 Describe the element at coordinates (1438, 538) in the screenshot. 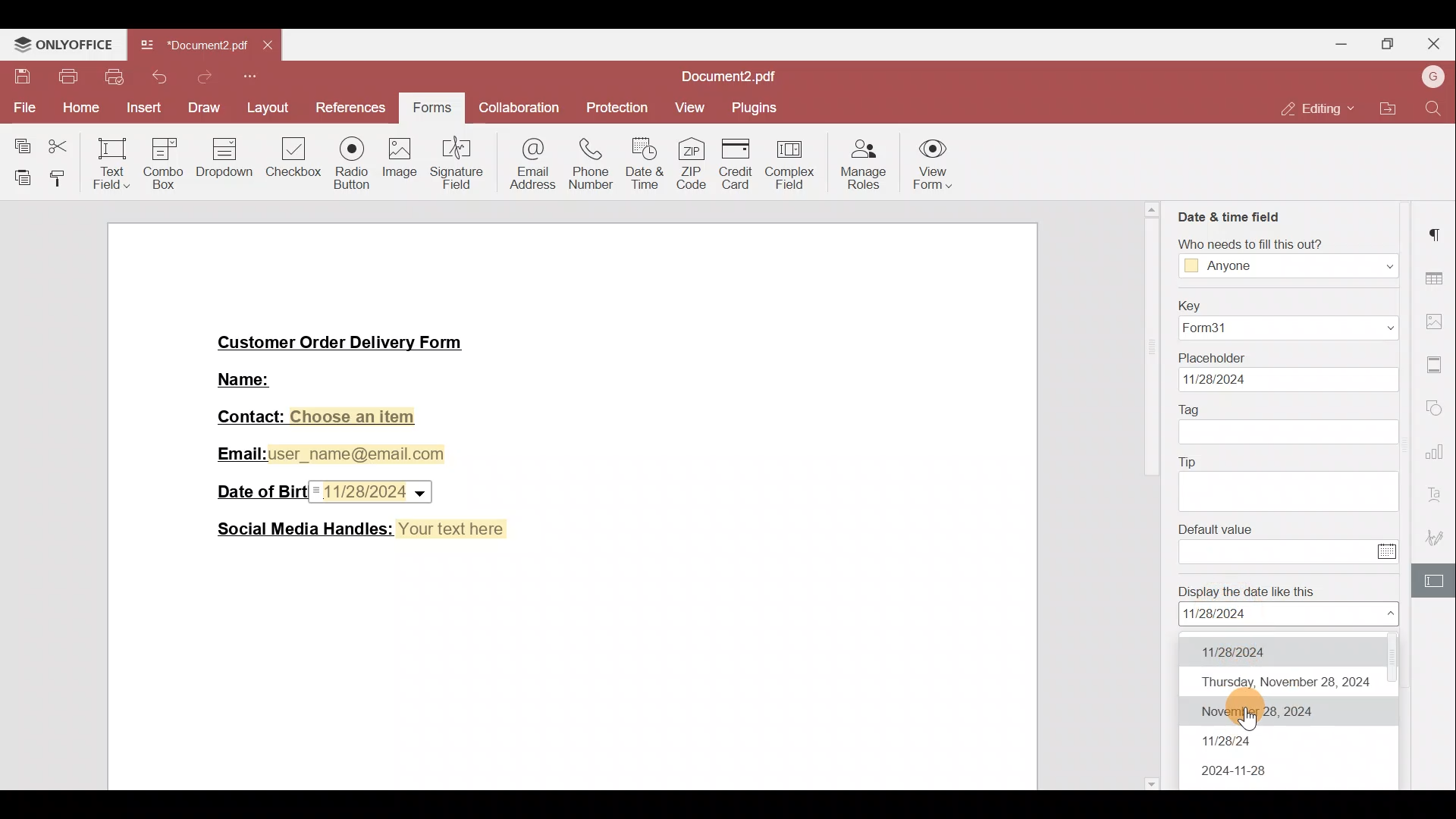

I see `Signature settings` at that location.